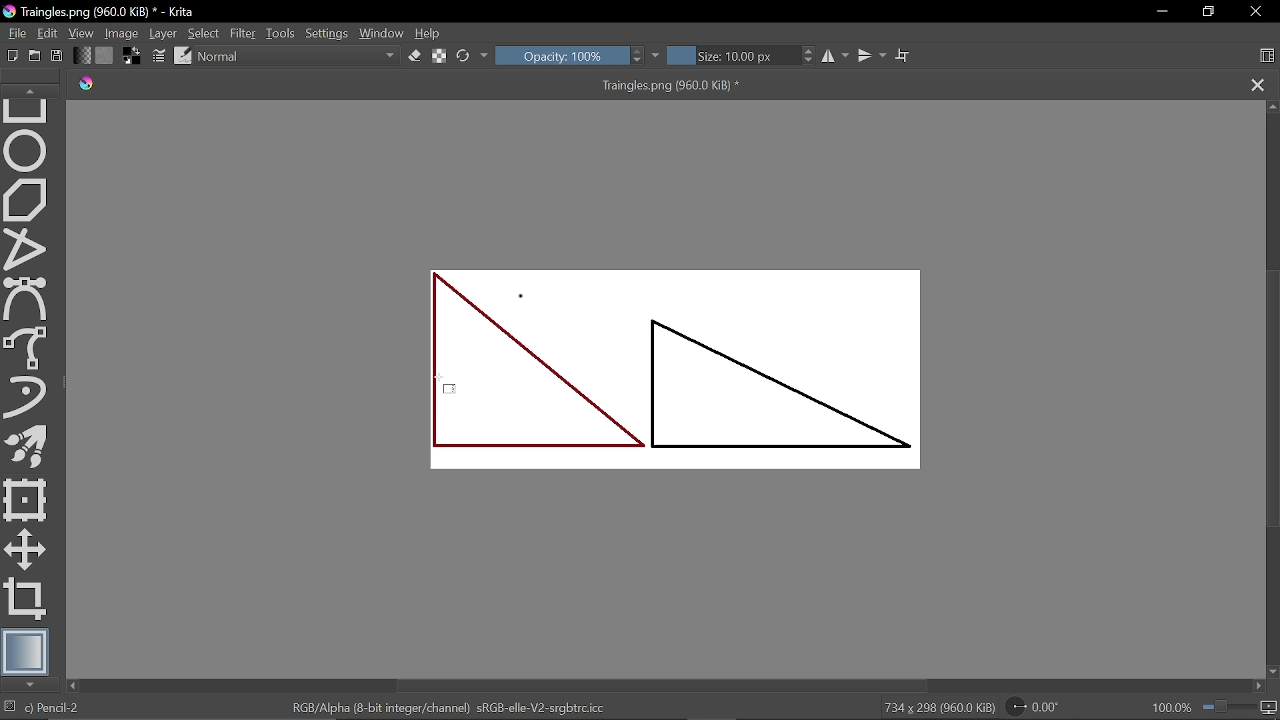 The width and height of the screenshot is (1280, 720). Describe the element at coordinates (663, 686) in the screenshot. I see `Horizontal scrollbar` at that location.